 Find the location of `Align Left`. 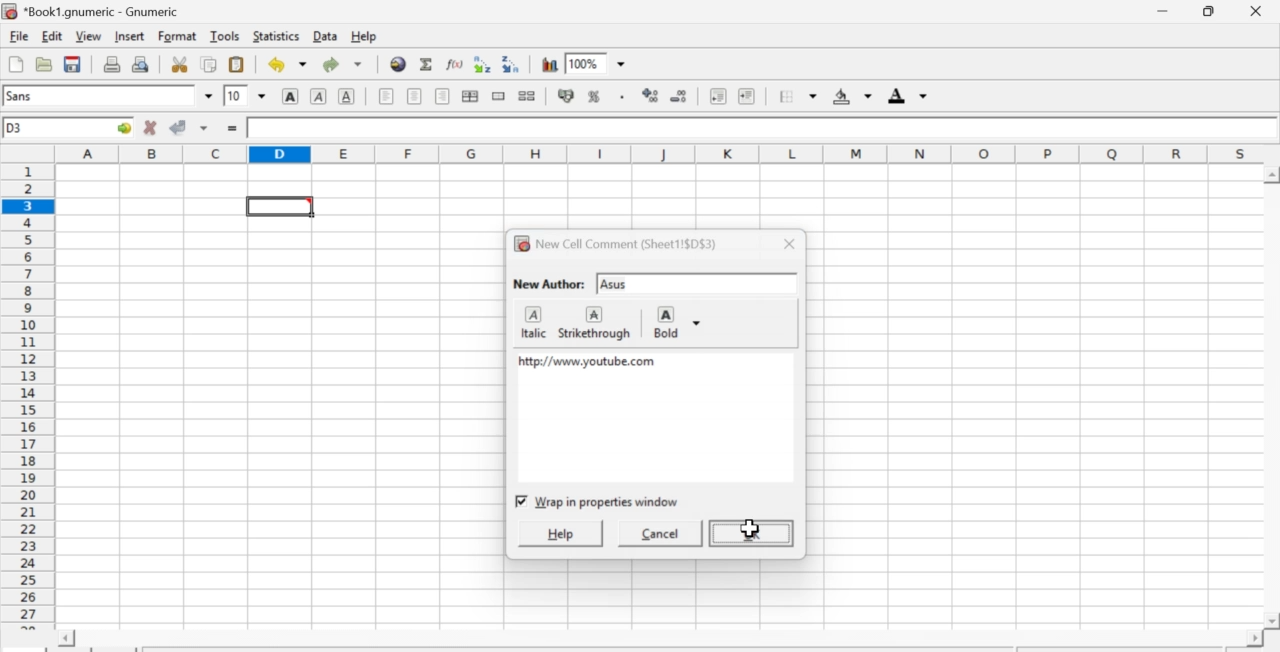

Align Left is located at coordinates (384, 97).